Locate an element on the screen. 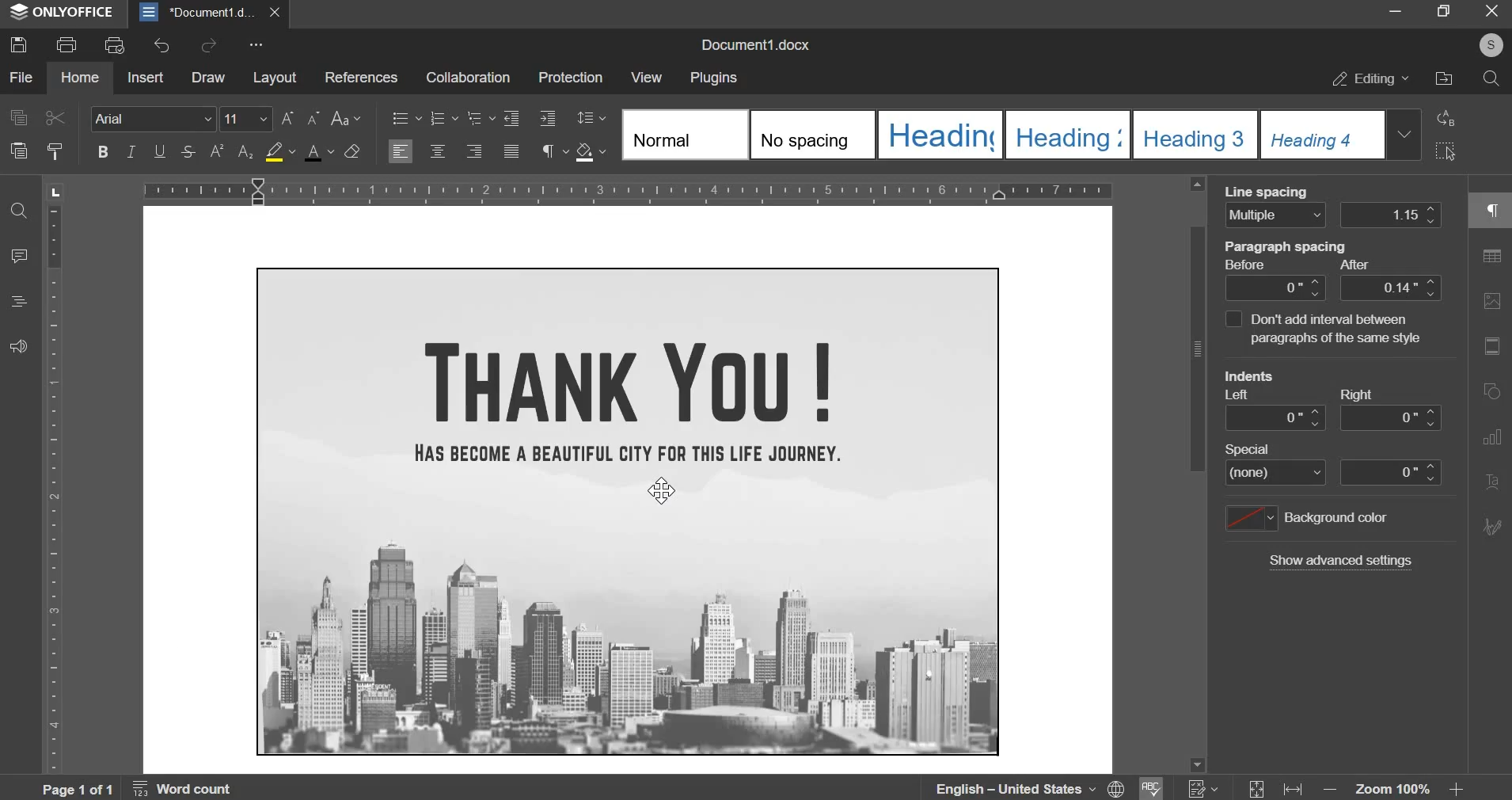 The height and width of the screenshot is (800, 1512). line spacing distance is located at coordinates (1391, 215).